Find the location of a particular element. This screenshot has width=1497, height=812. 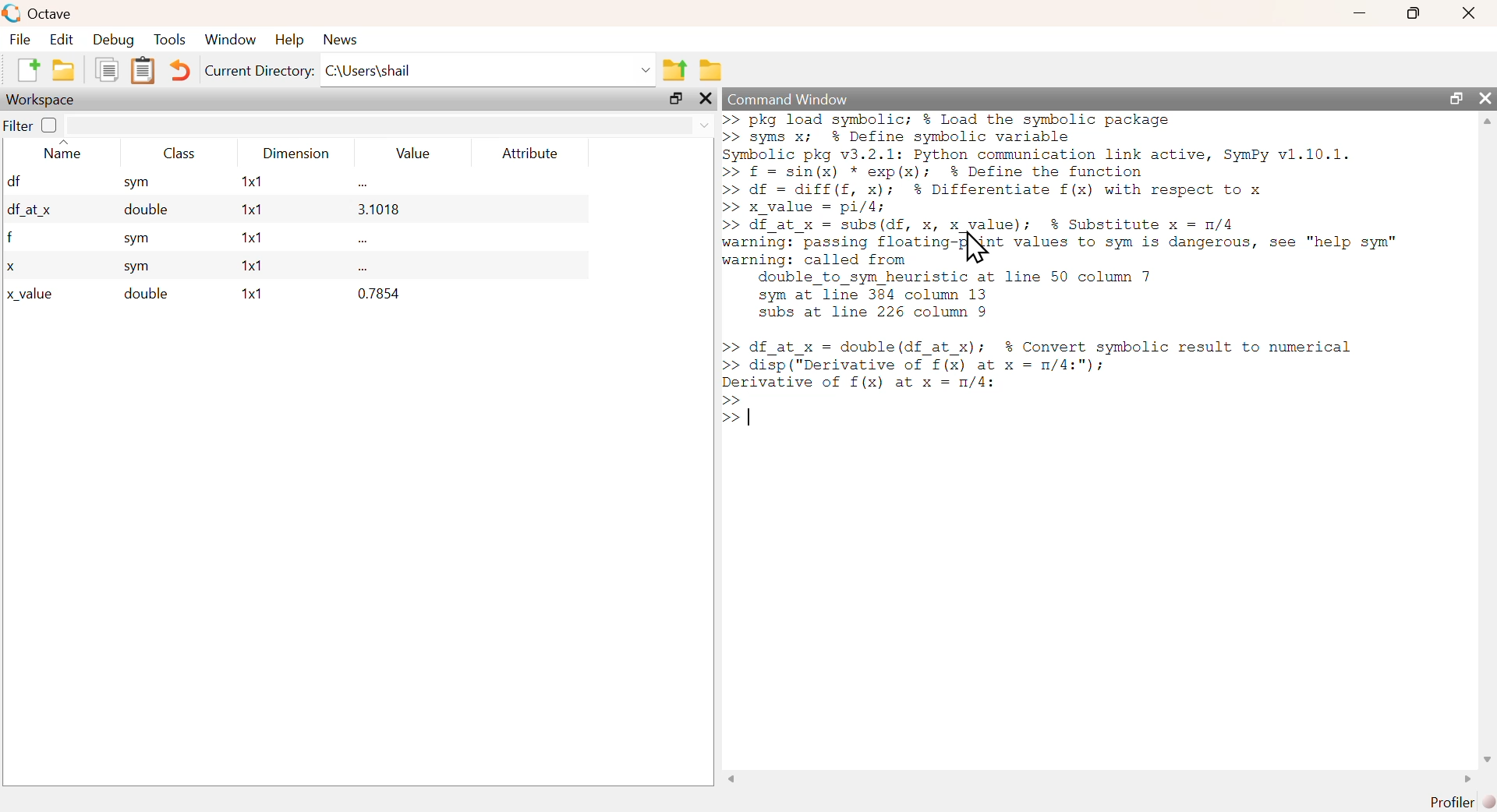

1x1 is located at coordinates (246, 237).